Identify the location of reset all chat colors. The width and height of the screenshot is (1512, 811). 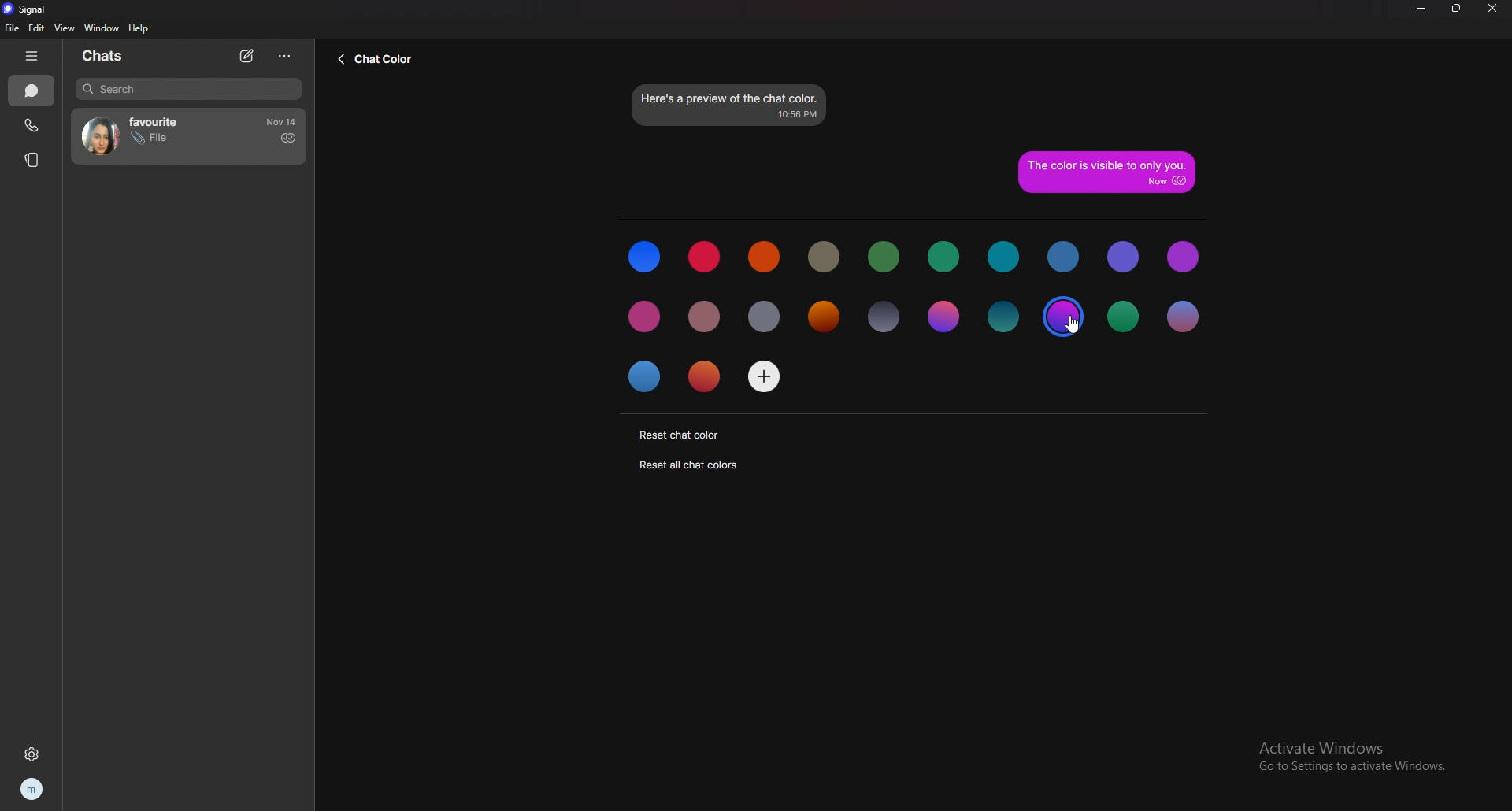
(691, 465).